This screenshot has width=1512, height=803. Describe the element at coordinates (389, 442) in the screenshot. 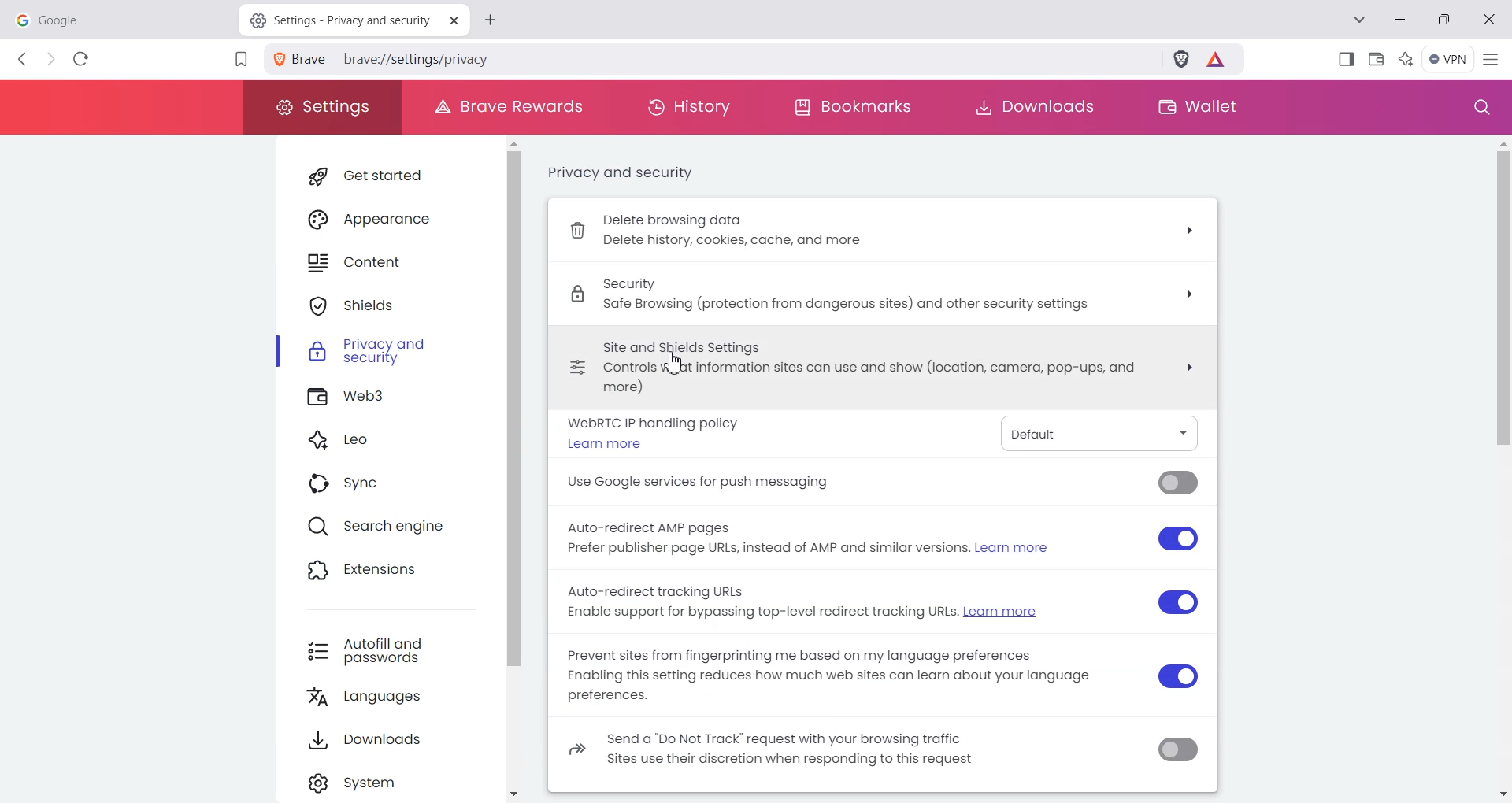

I see `Leo` at that location.